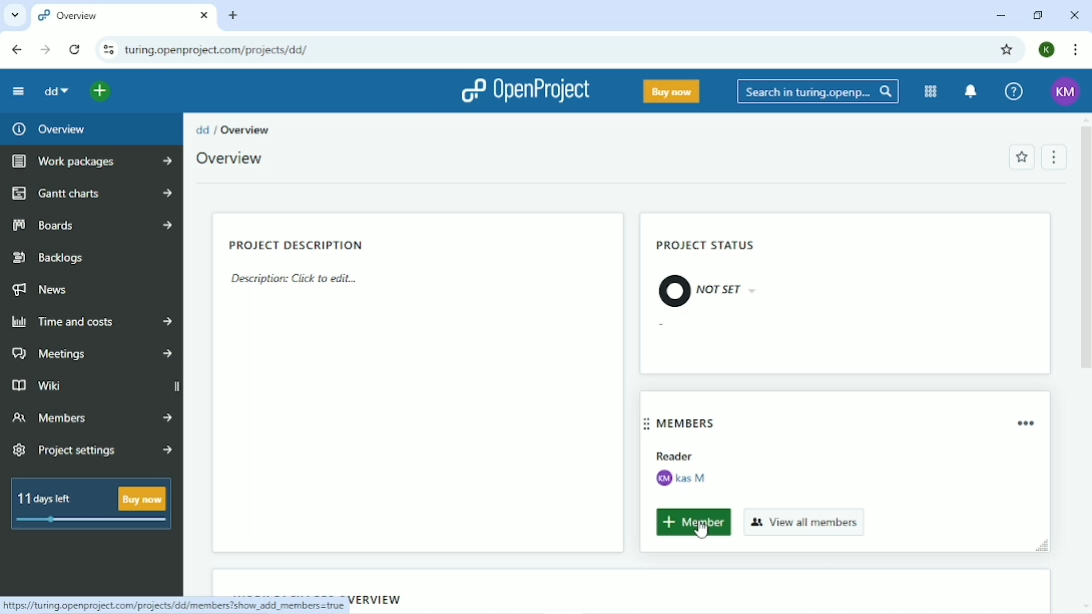  I want to click on Bookmark this tab, so click(1005, 48).